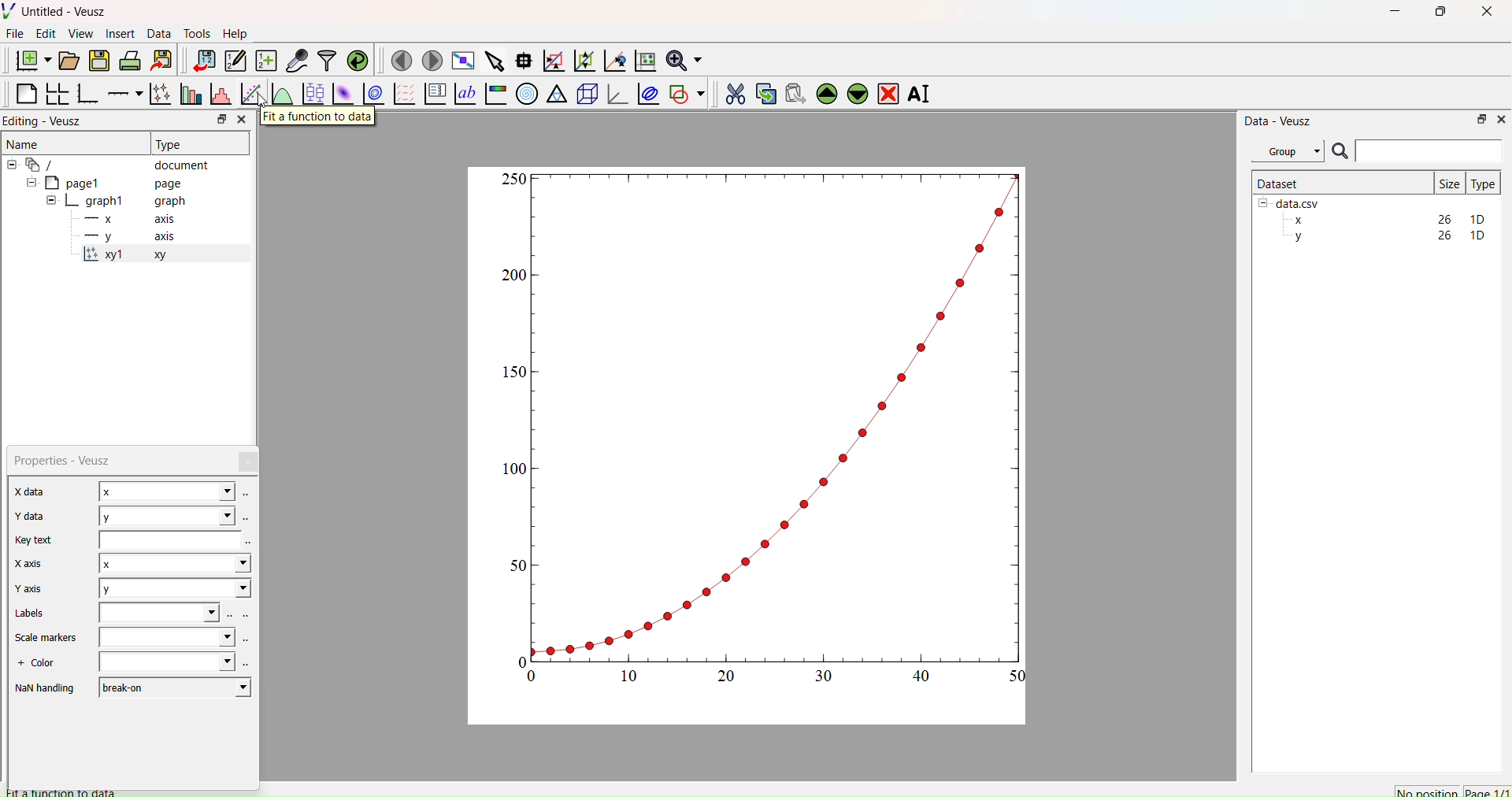 Image resolution: width=1512 pixels, height=797 pixels. I want to click on Add an axis to plot, so click(120, 92).